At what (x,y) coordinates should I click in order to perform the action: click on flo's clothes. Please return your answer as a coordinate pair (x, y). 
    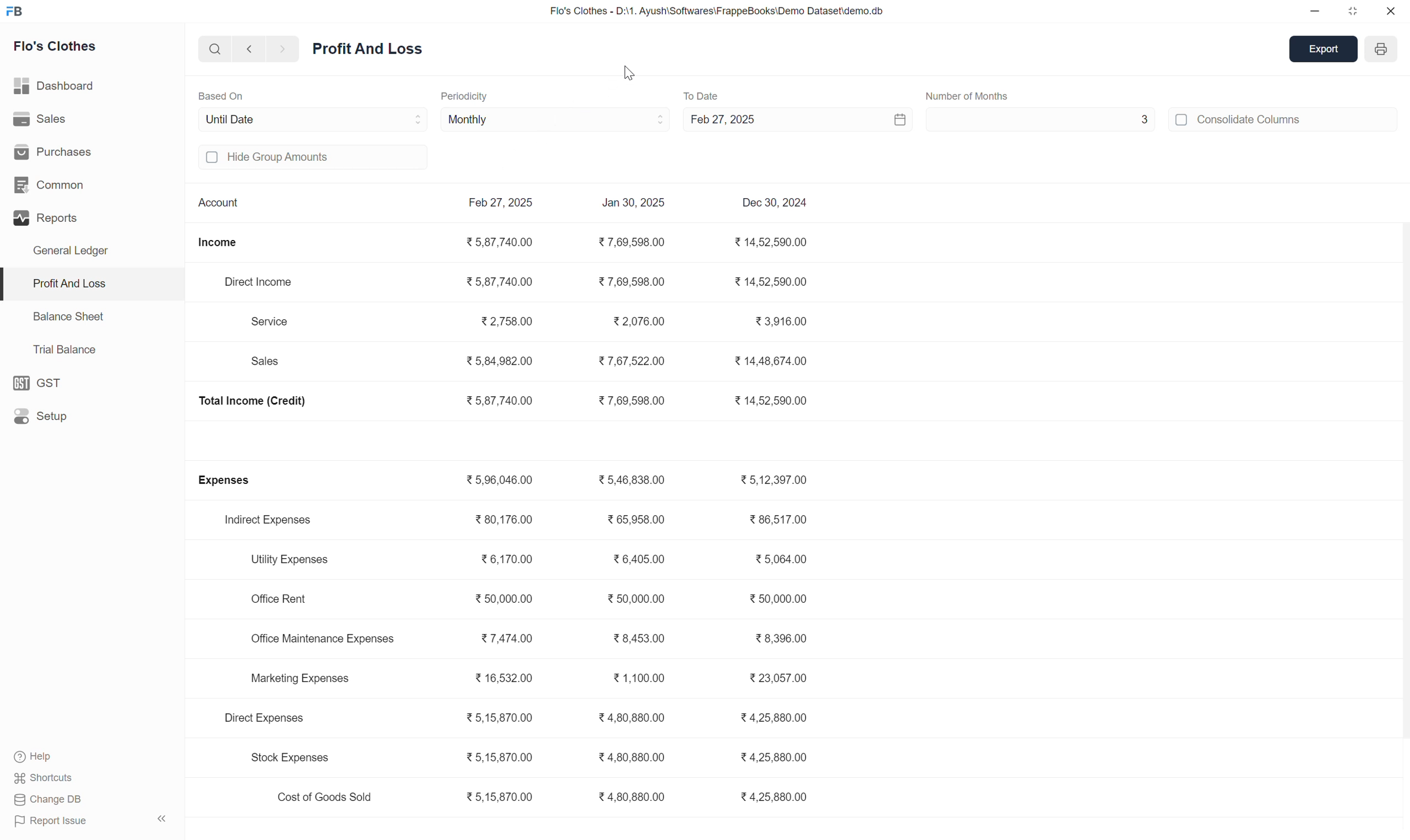
    Looking at the image, I should click on (53, 46).